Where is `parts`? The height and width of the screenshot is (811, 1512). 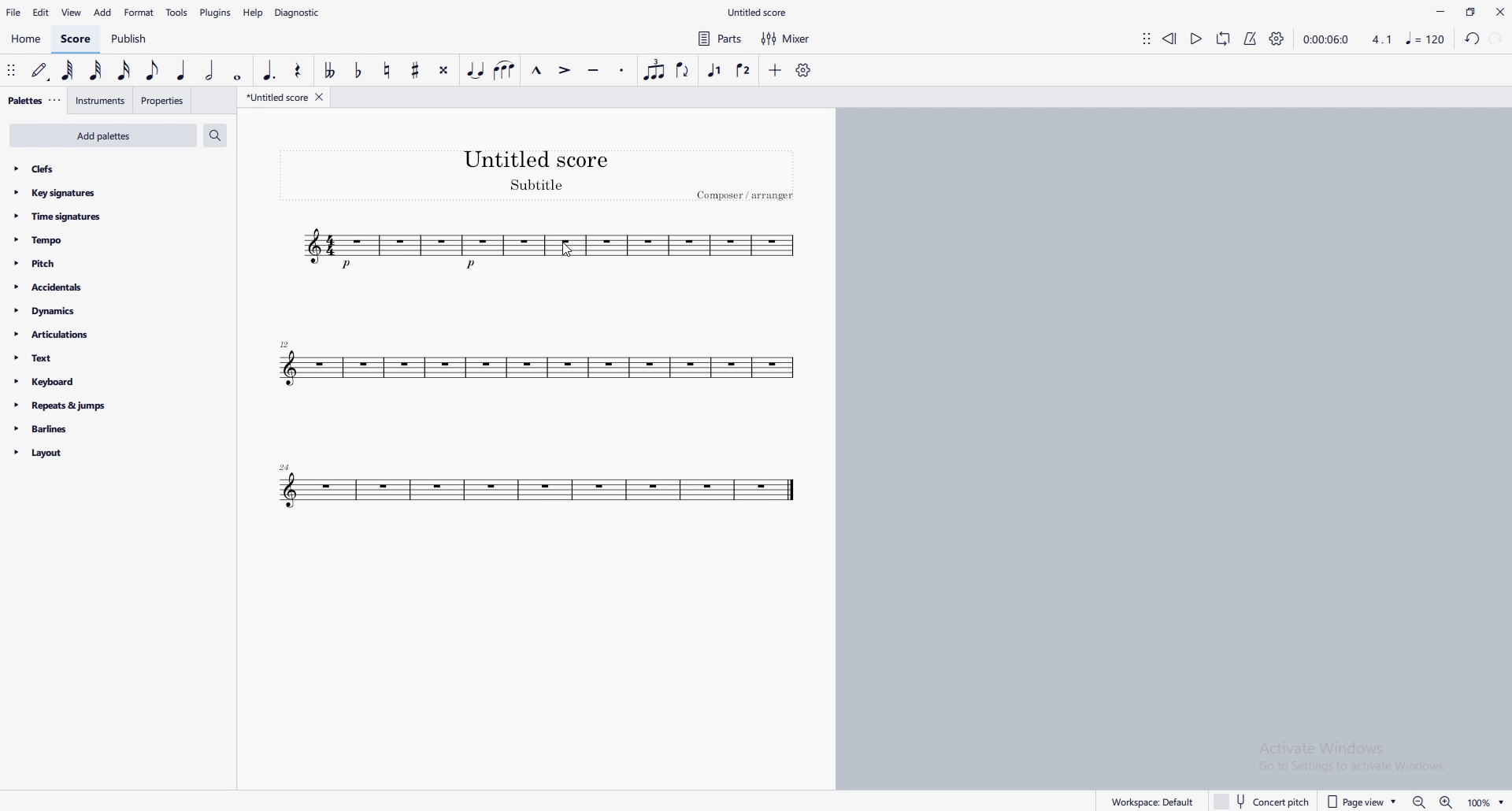 parts is located at coordinates (722, 39).